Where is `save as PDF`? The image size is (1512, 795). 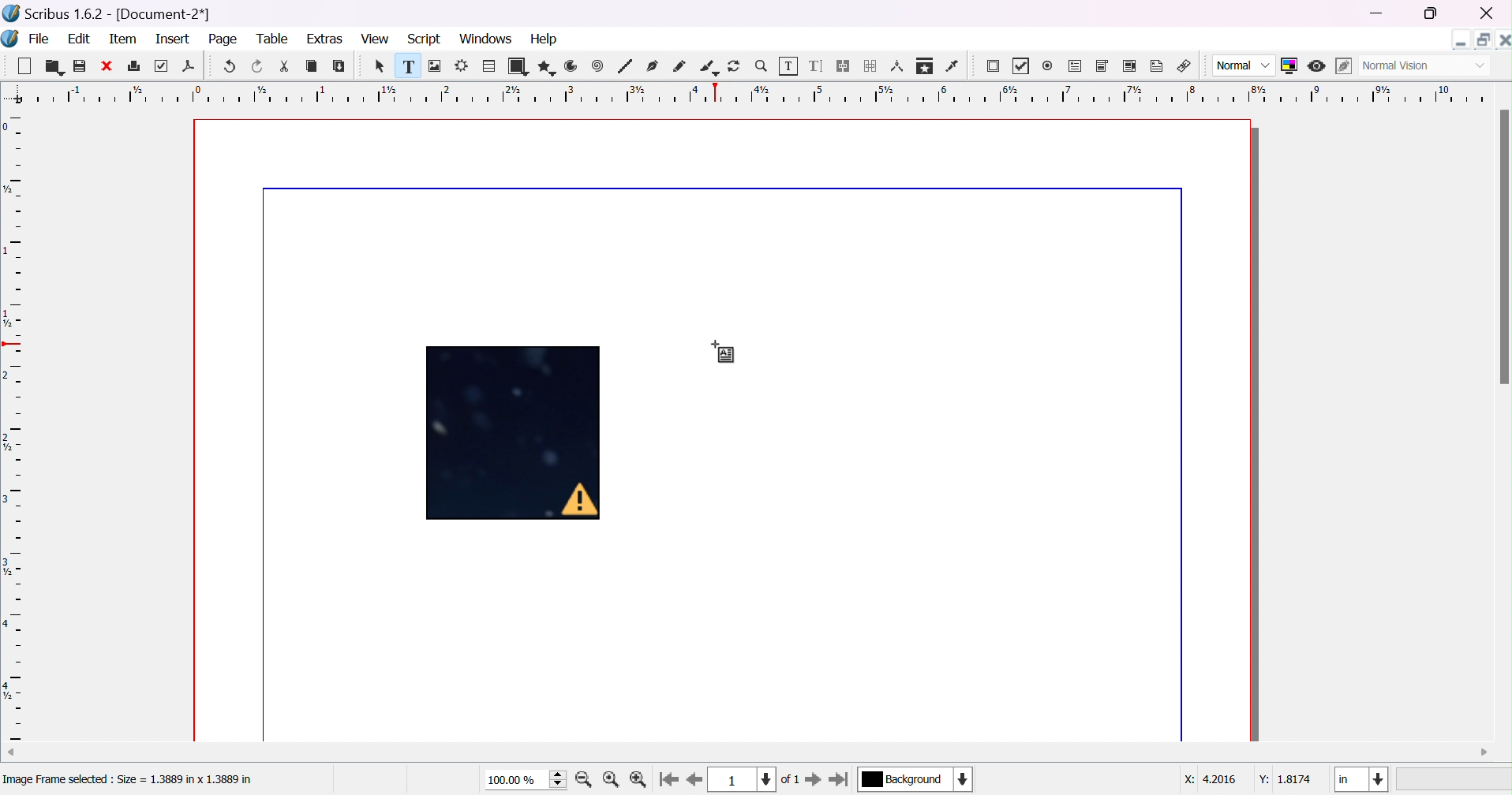
save as PDF is located at coordinates (188, 68).